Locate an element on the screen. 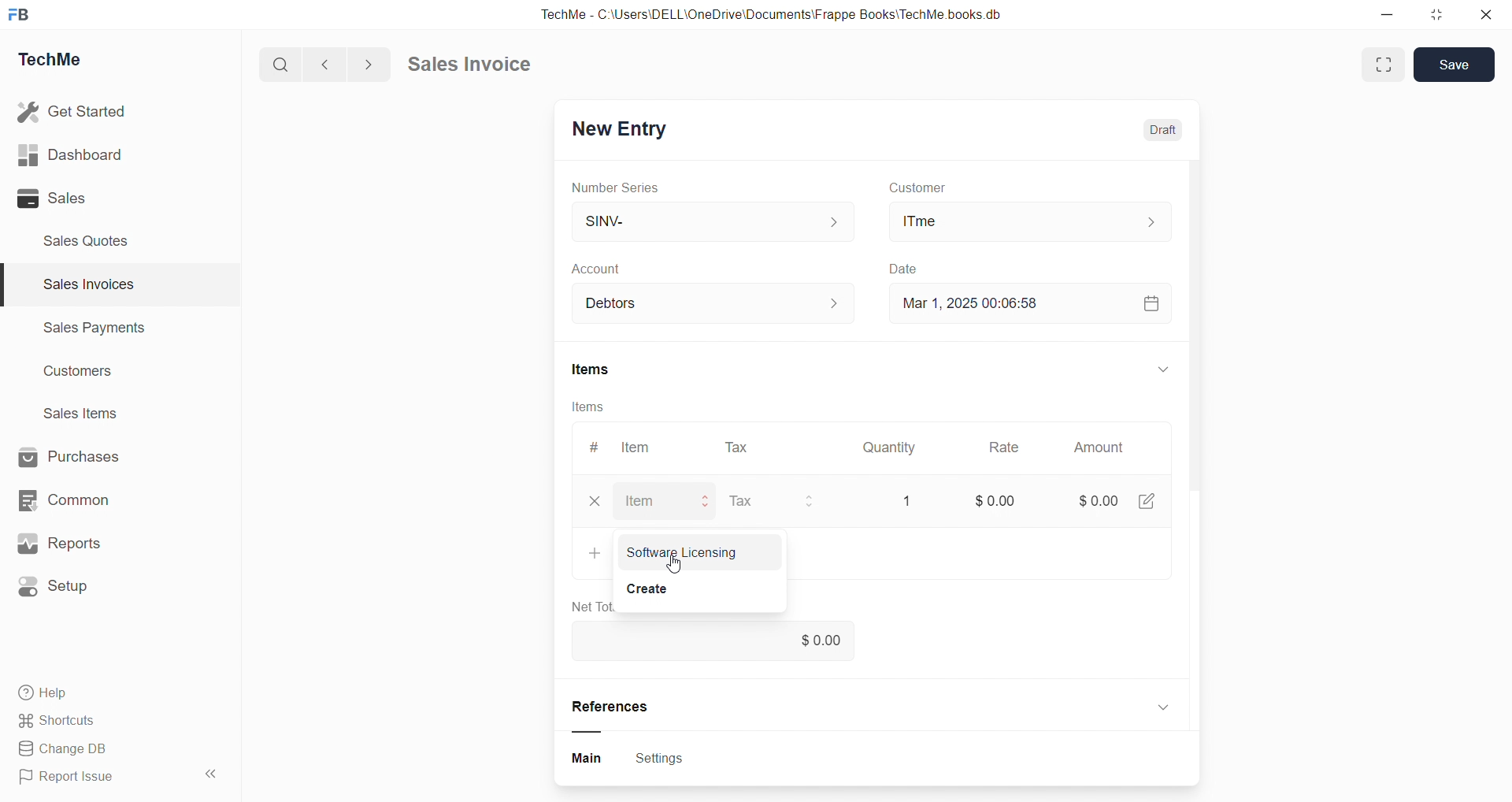  References is located at coordinates (627, 707).